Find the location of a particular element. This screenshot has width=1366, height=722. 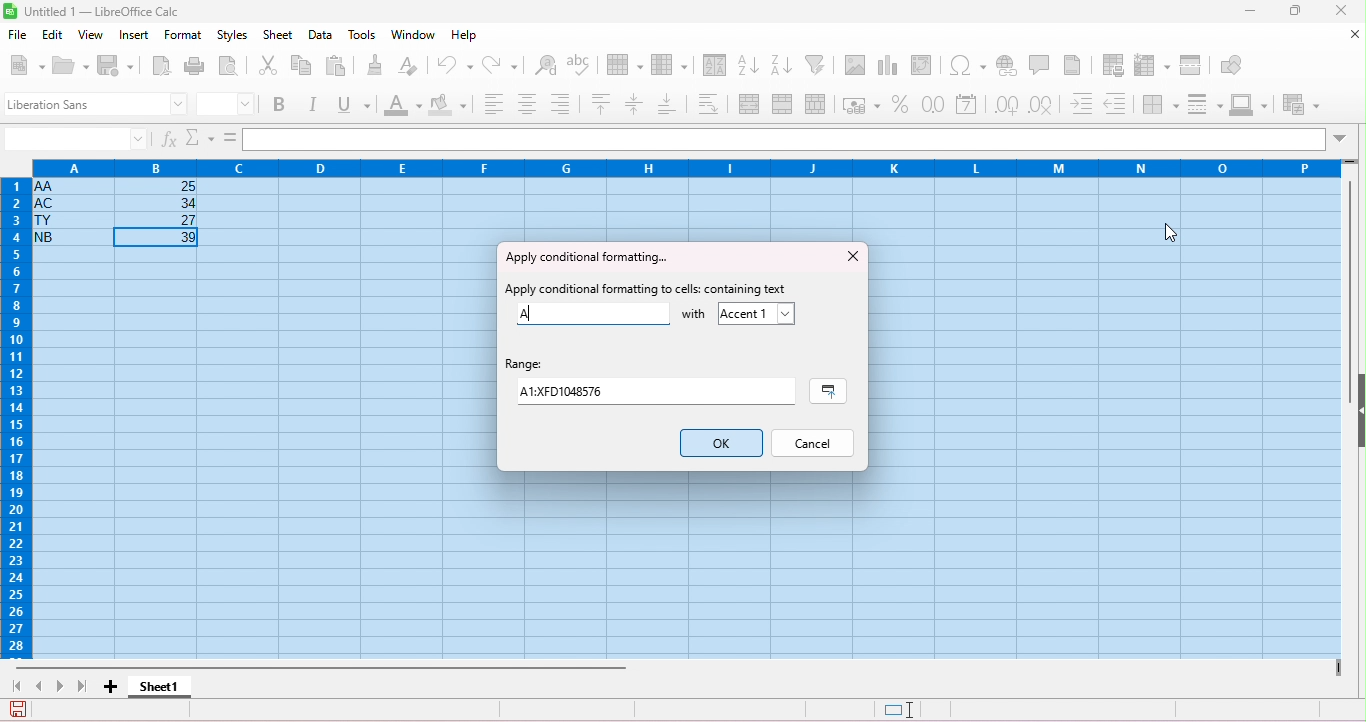

insert image is located at coordinates (855, 65).